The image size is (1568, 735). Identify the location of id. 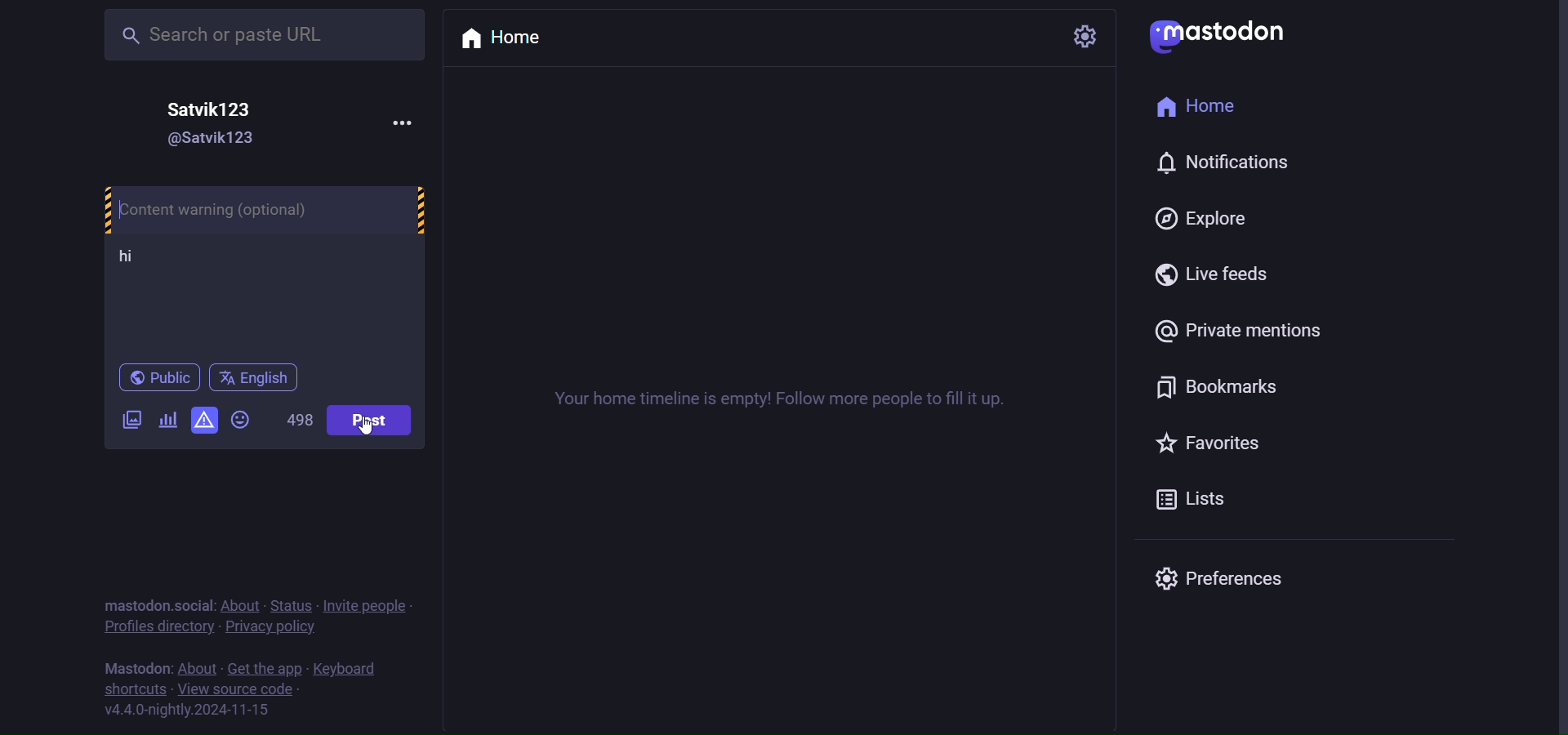
(198, 140).